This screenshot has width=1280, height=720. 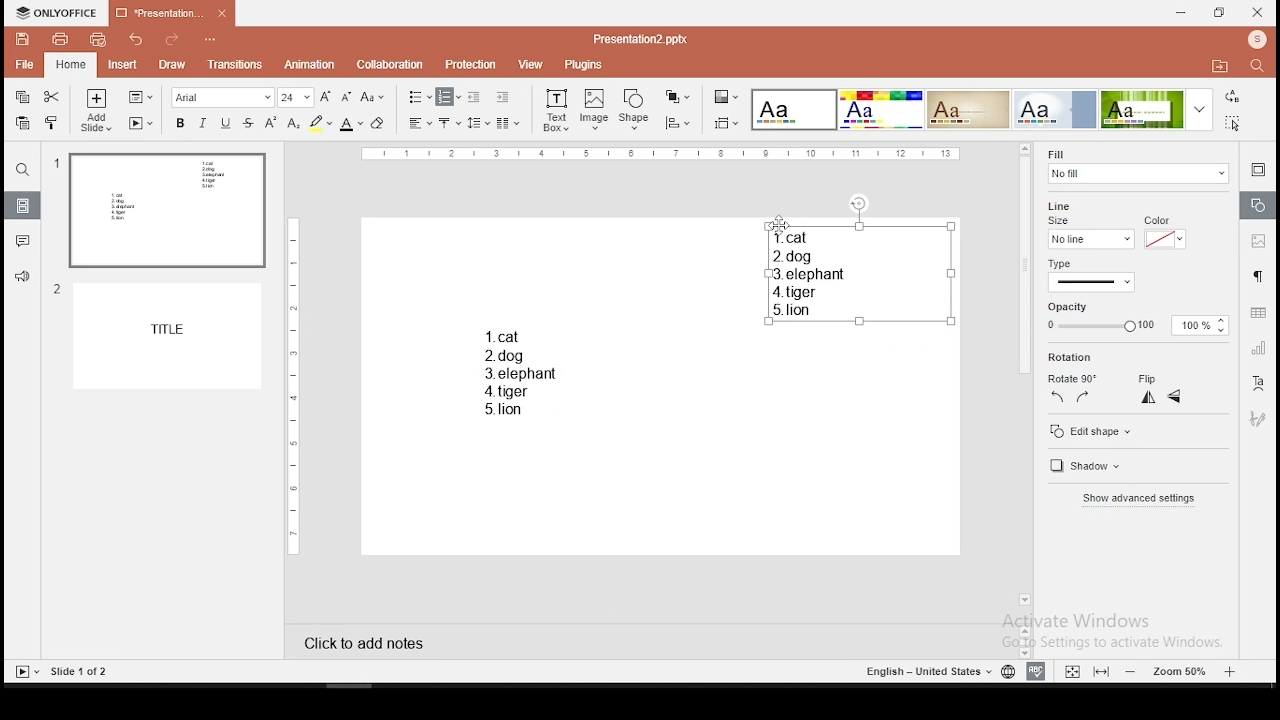 What do you see at coordinates (676, 123) in the screenshot?
I see `align objects` at bounding box center [676, 123].